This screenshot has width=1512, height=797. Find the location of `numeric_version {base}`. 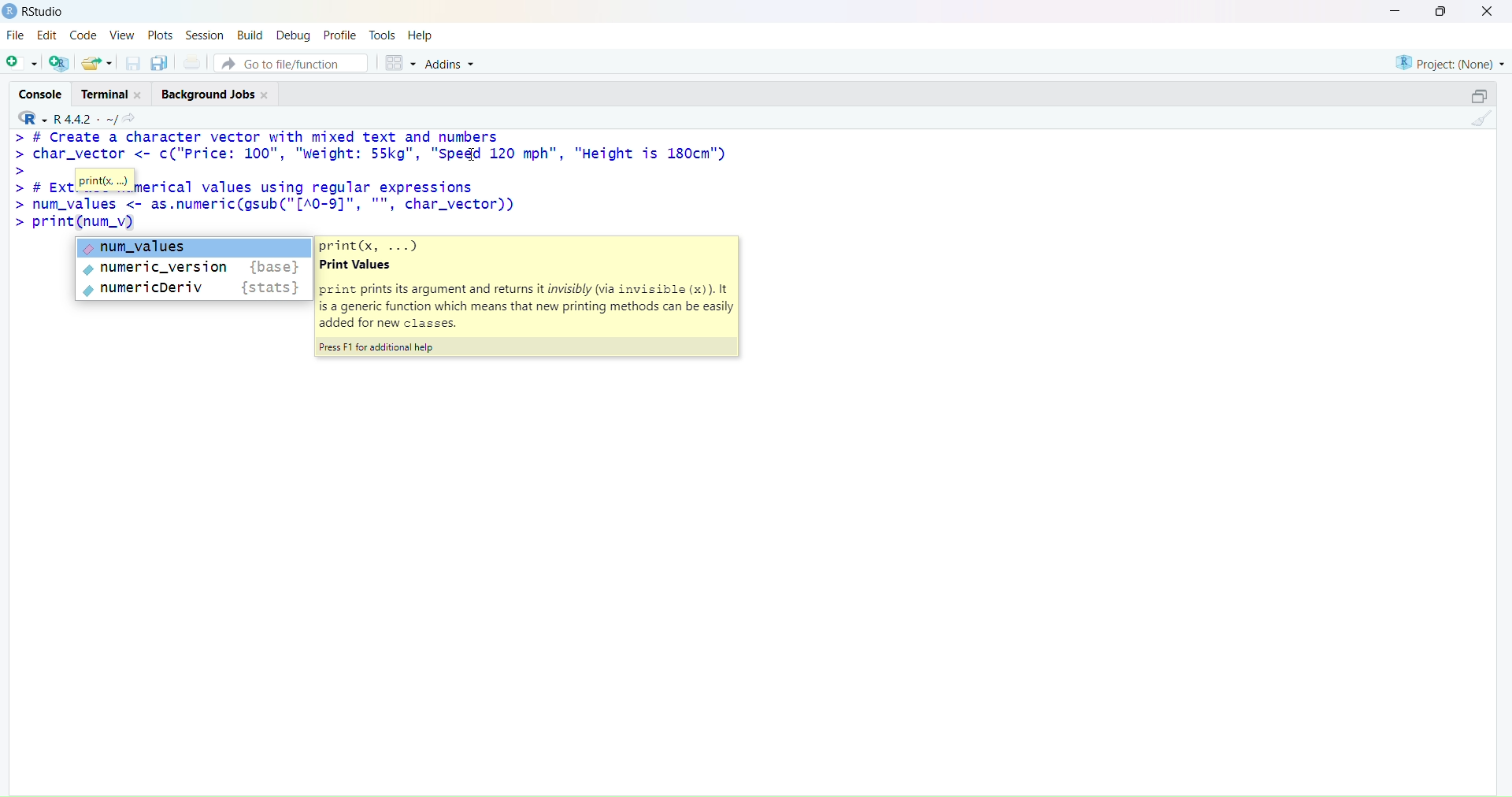

numeric_version {base} is located at coordinates (194, 269).